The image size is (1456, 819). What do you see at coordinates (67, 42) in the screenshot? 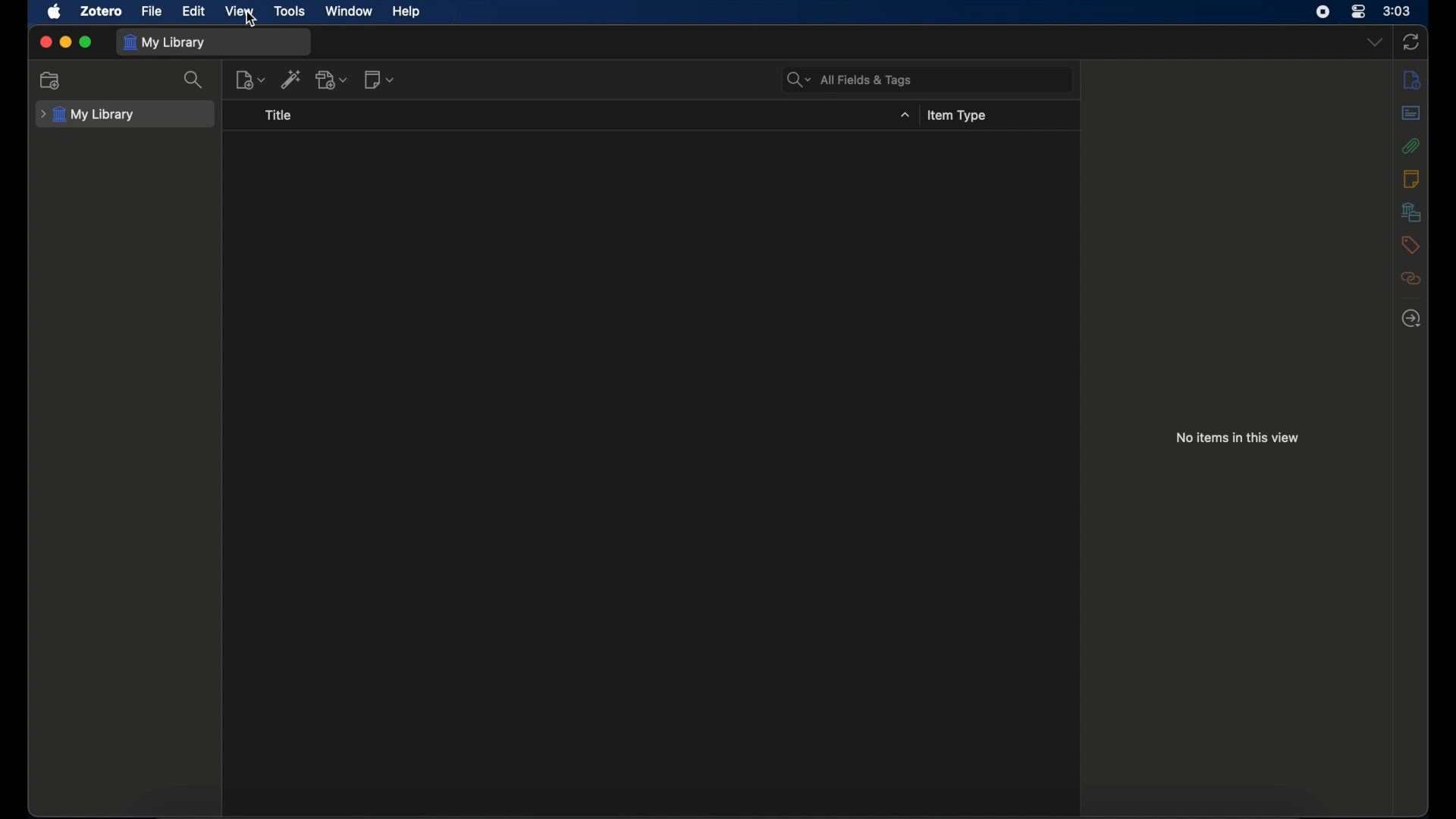
I see `minimize` at bounding box center [67, 42].